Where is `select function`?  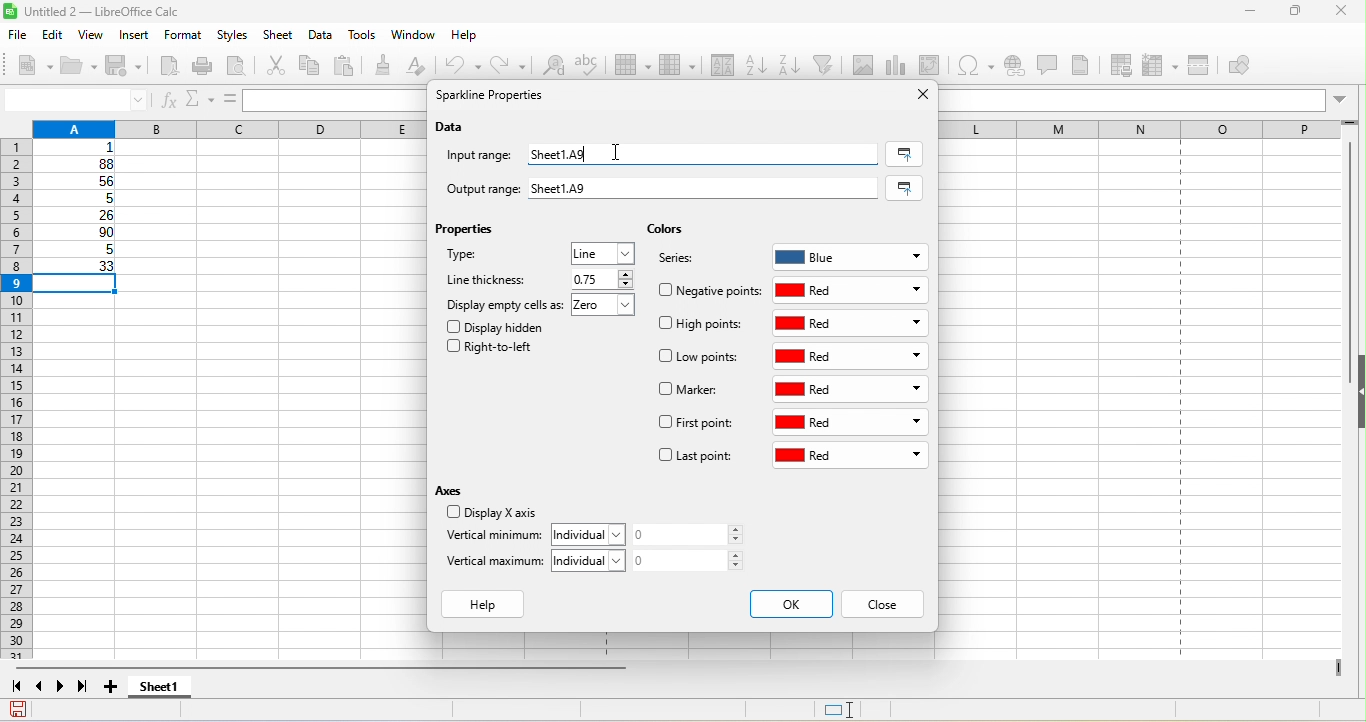 select function is located at coordinates (201, 99).